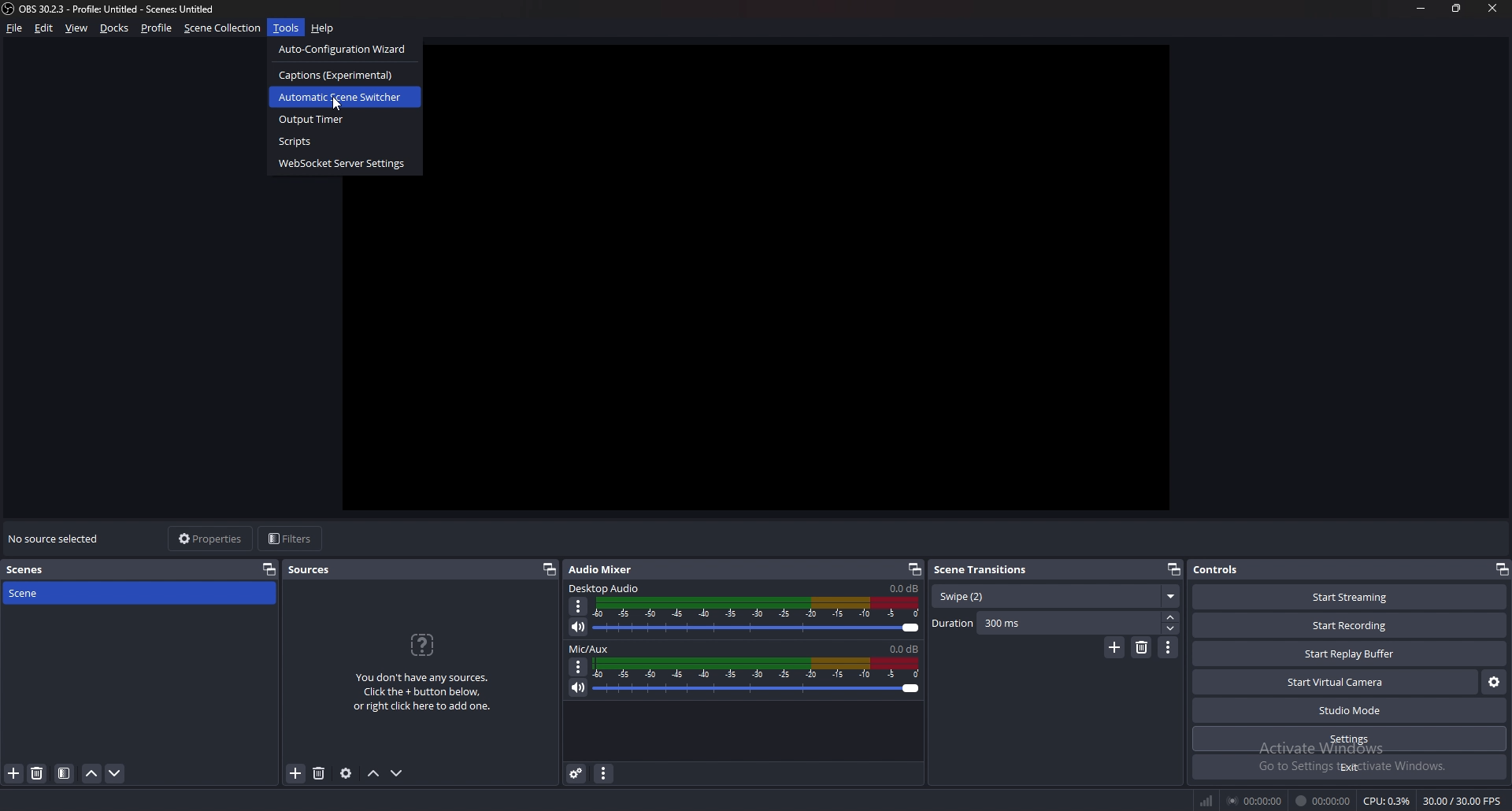  What do you see at coordinates (113, 9) in the screenshot?
I see `title` at bounding box center [113, 9].